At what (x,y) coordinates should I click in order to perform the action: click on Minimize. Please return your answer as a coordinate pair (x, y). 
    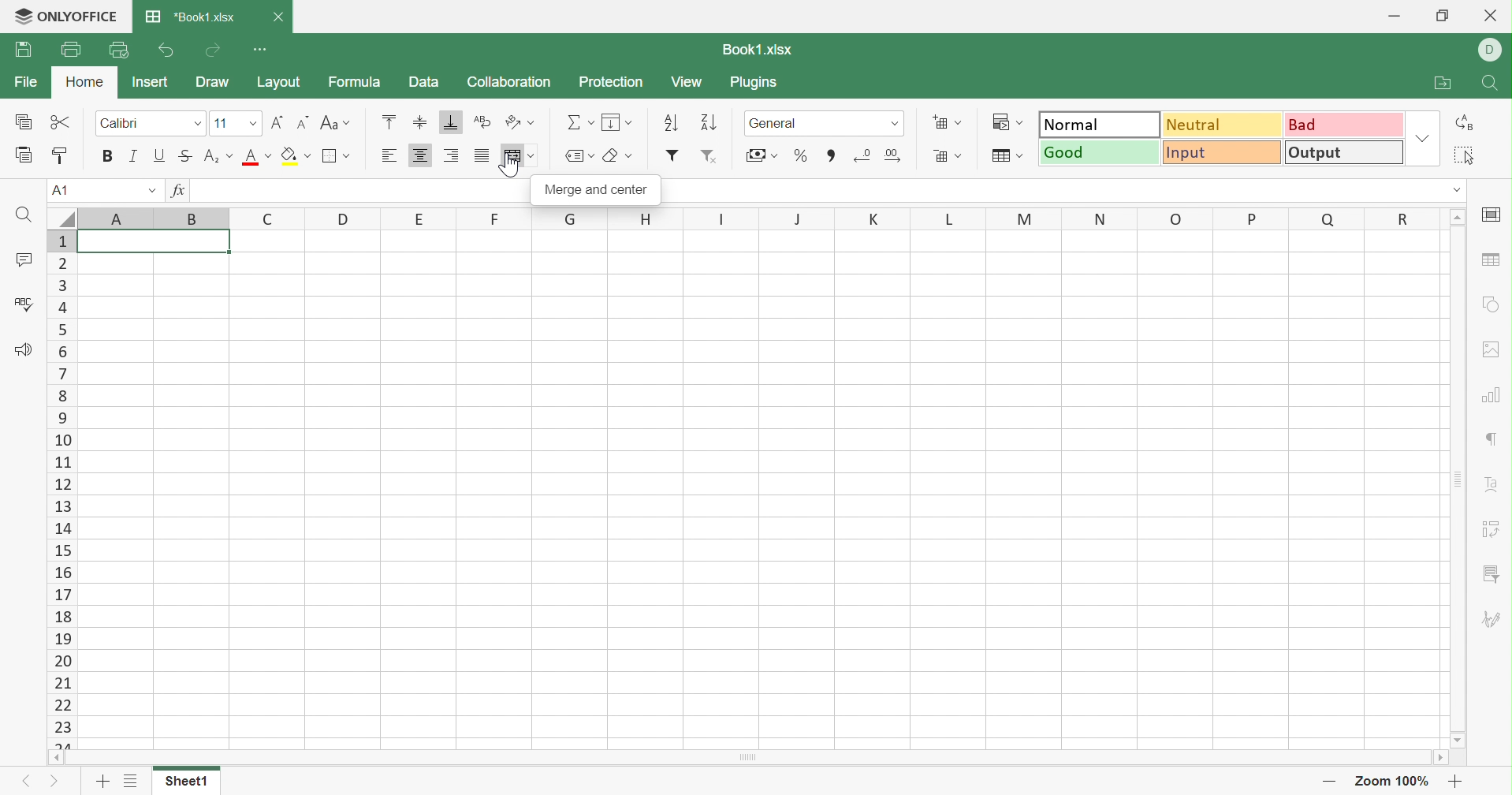
    Looking at the image, I should click on (1391, 16).